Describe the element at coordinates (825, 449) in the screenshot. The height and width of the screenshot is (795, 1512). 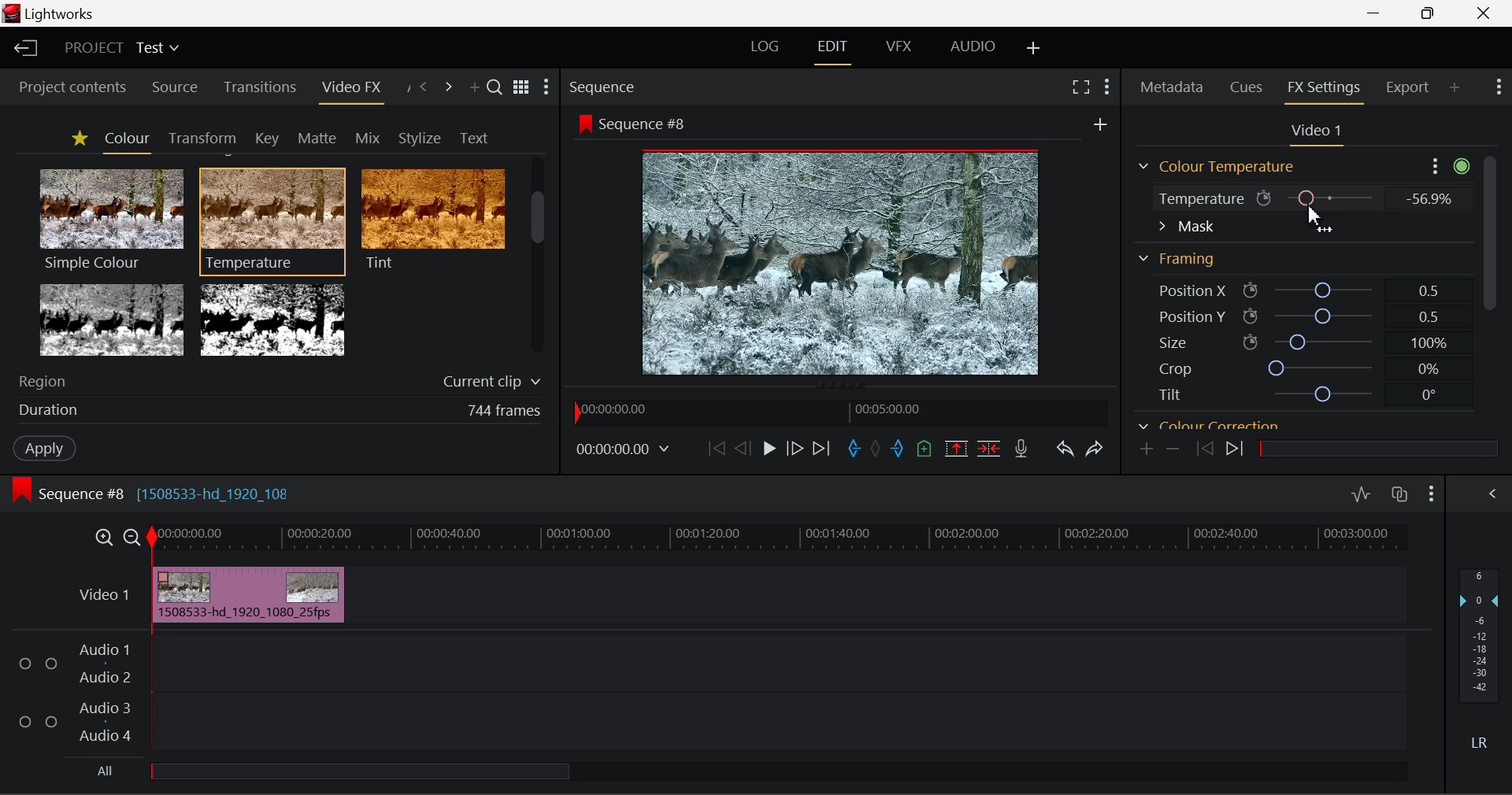
I see `To End` at that location.